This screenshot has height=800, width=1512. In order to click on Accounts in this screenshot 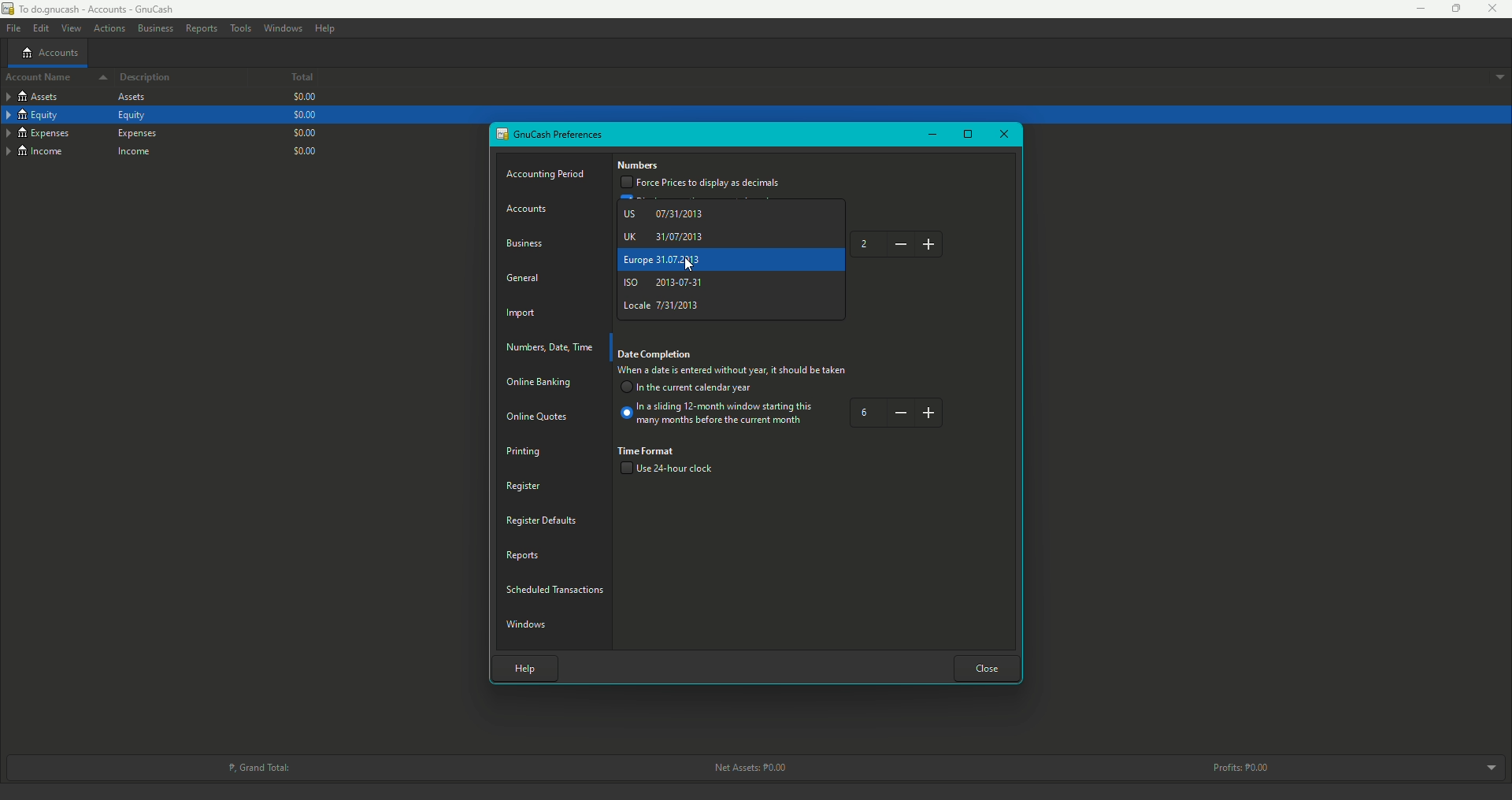, I will do `click(531, 209)`.